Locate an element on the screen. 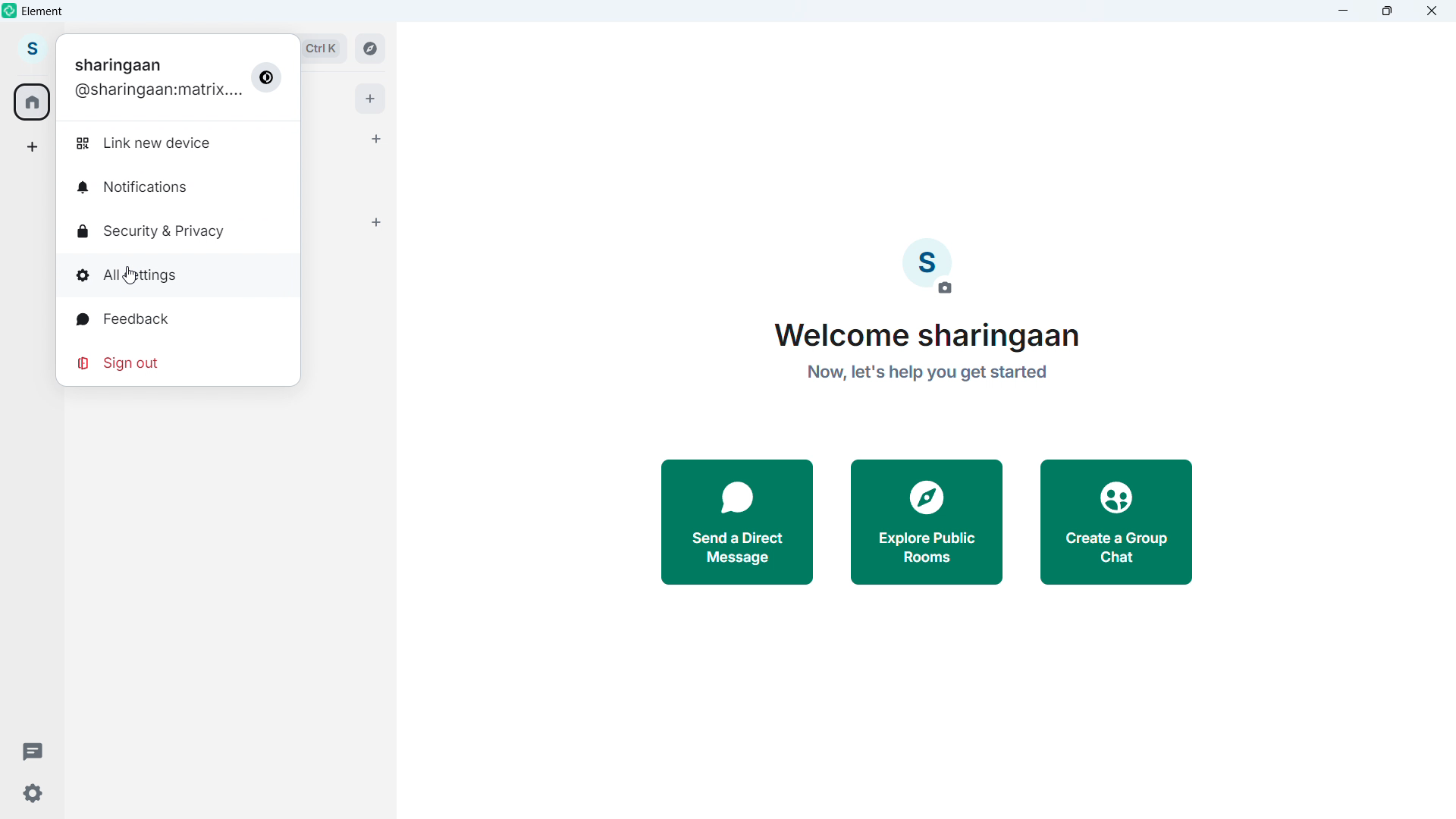  Explore public rooms  is located at coordinates (927, 523).